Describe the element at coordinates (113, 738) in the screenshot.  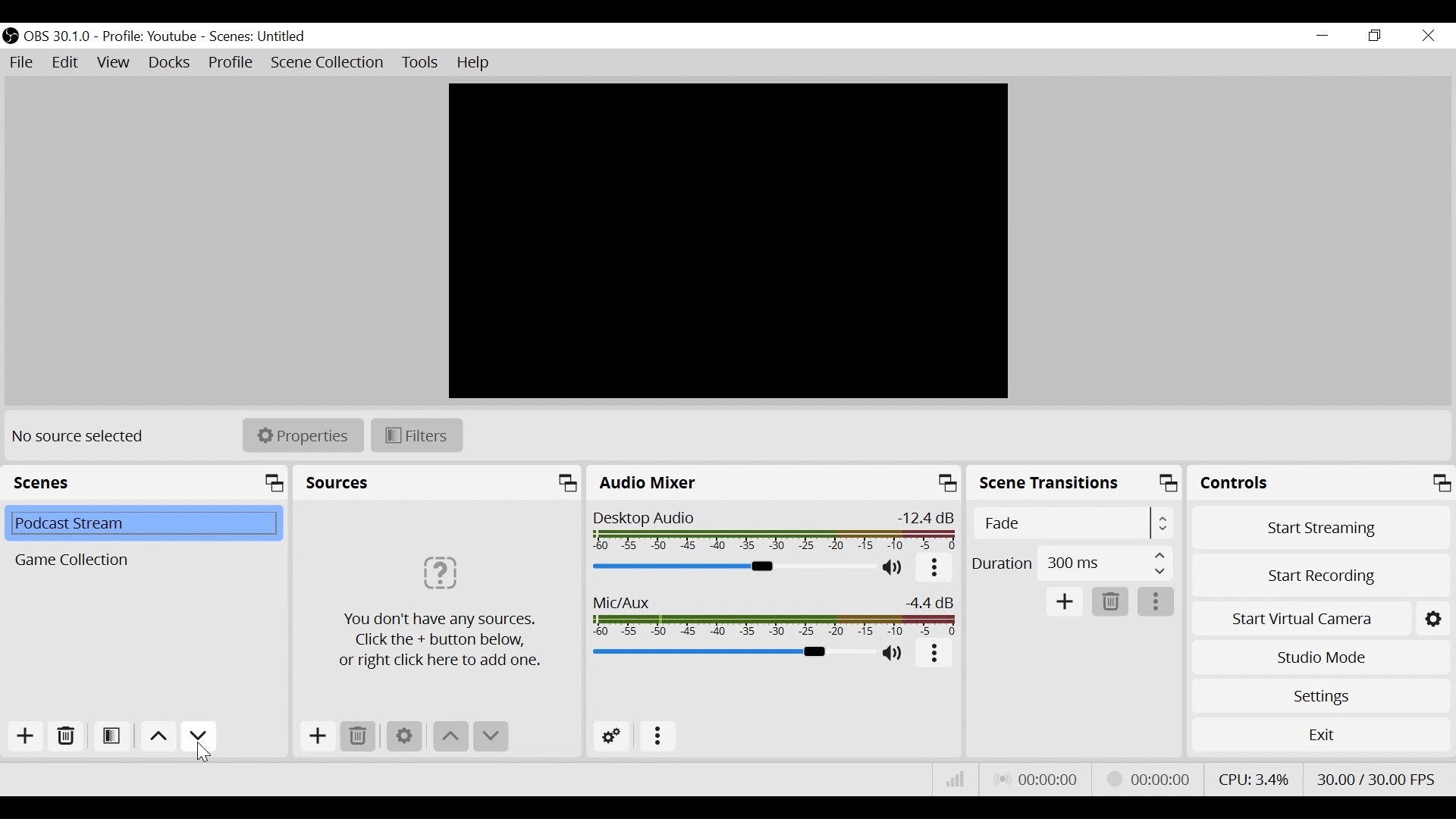
I see `Open Scene Filter` at that location.